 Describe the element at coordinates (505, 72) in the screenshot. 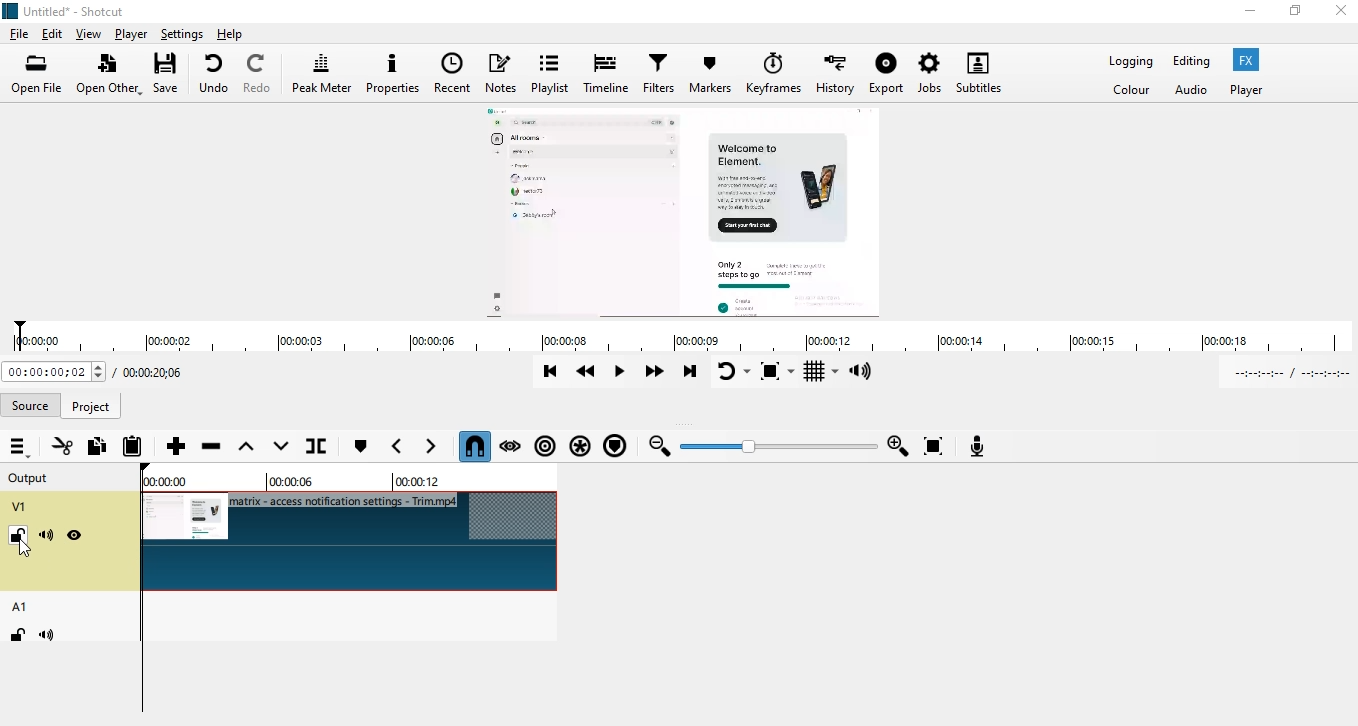

I see `notes` at that location.